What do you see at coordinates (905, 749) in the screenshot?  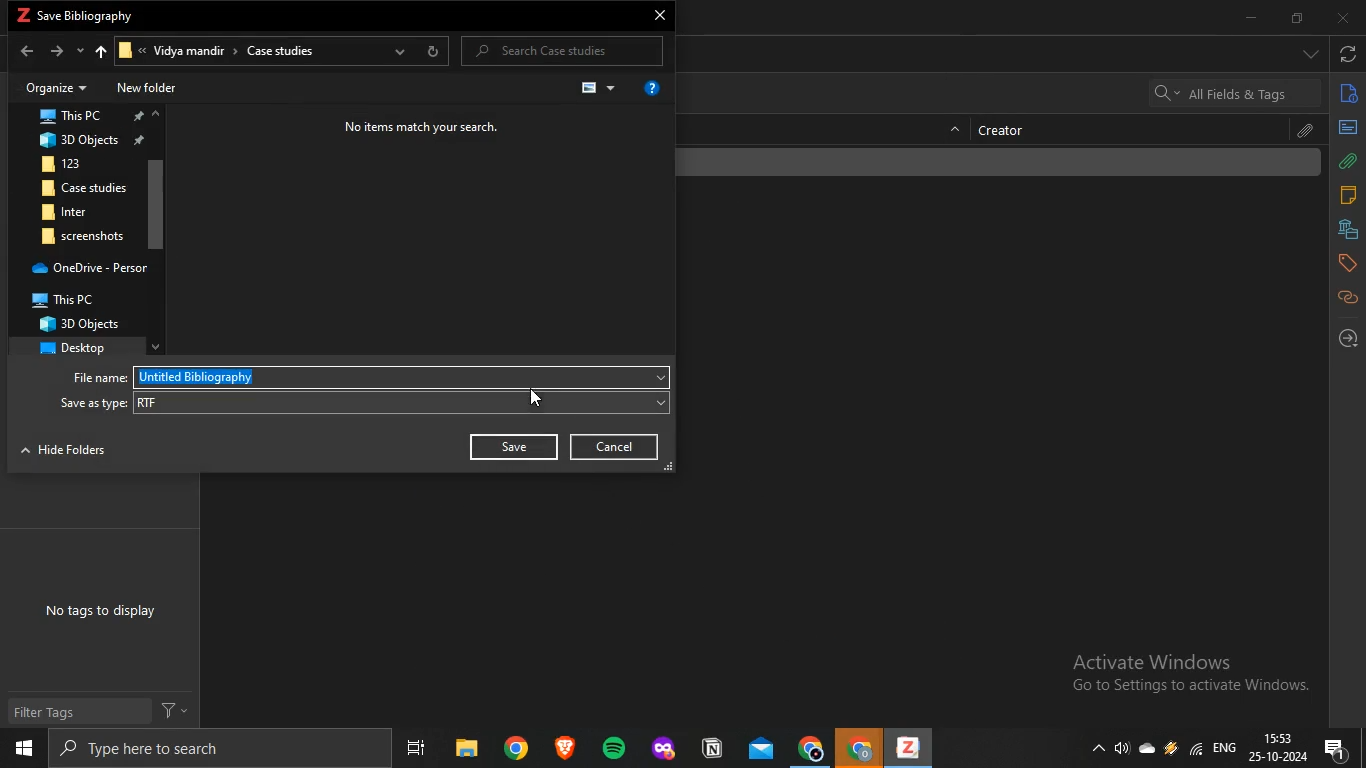 I see `zotero` at bounding box center [905, 749].